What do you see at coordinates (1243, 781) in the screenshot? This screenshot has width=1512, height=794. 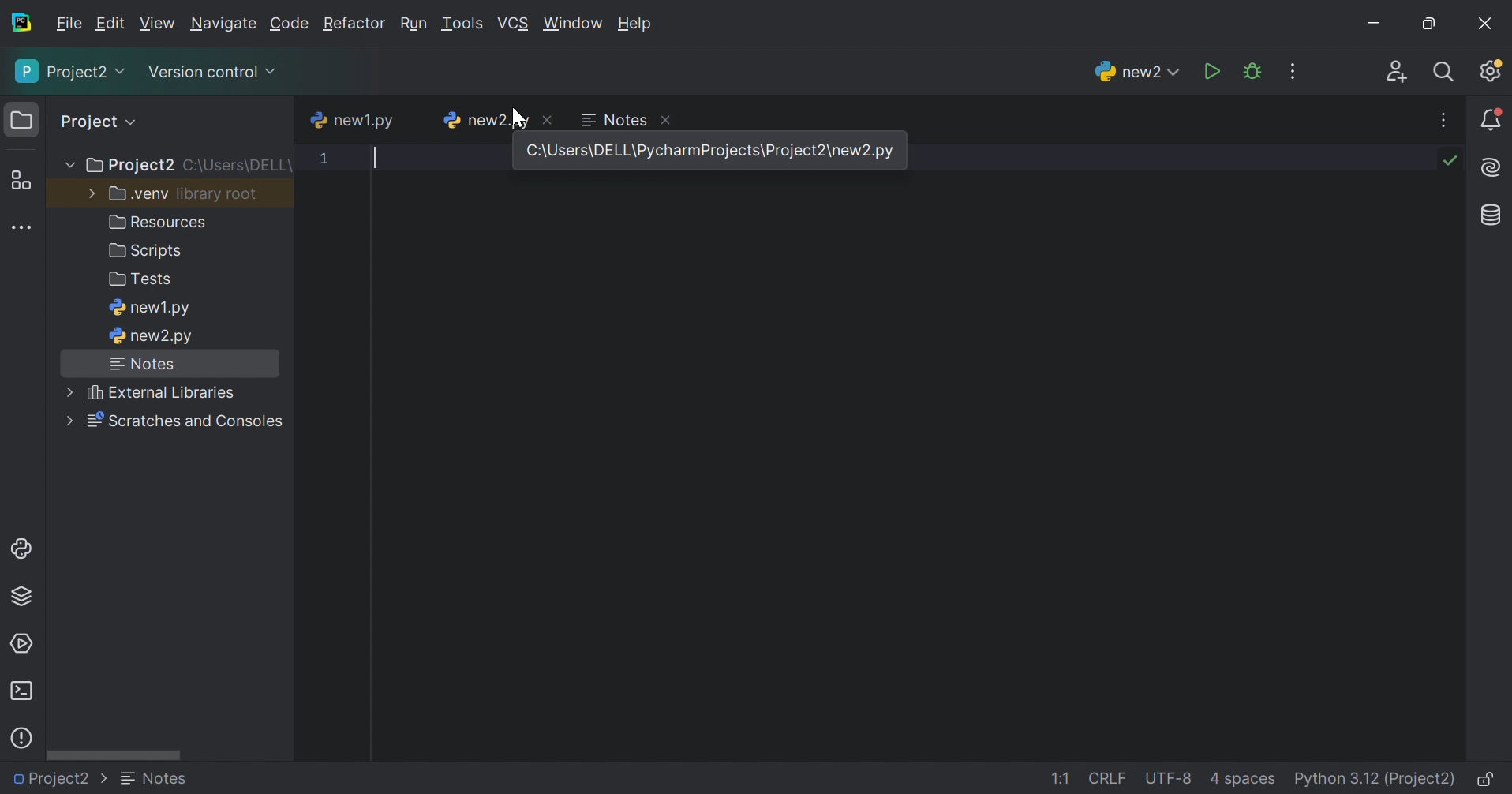 I see `4 spaces` at bounding box center [1243, 781].